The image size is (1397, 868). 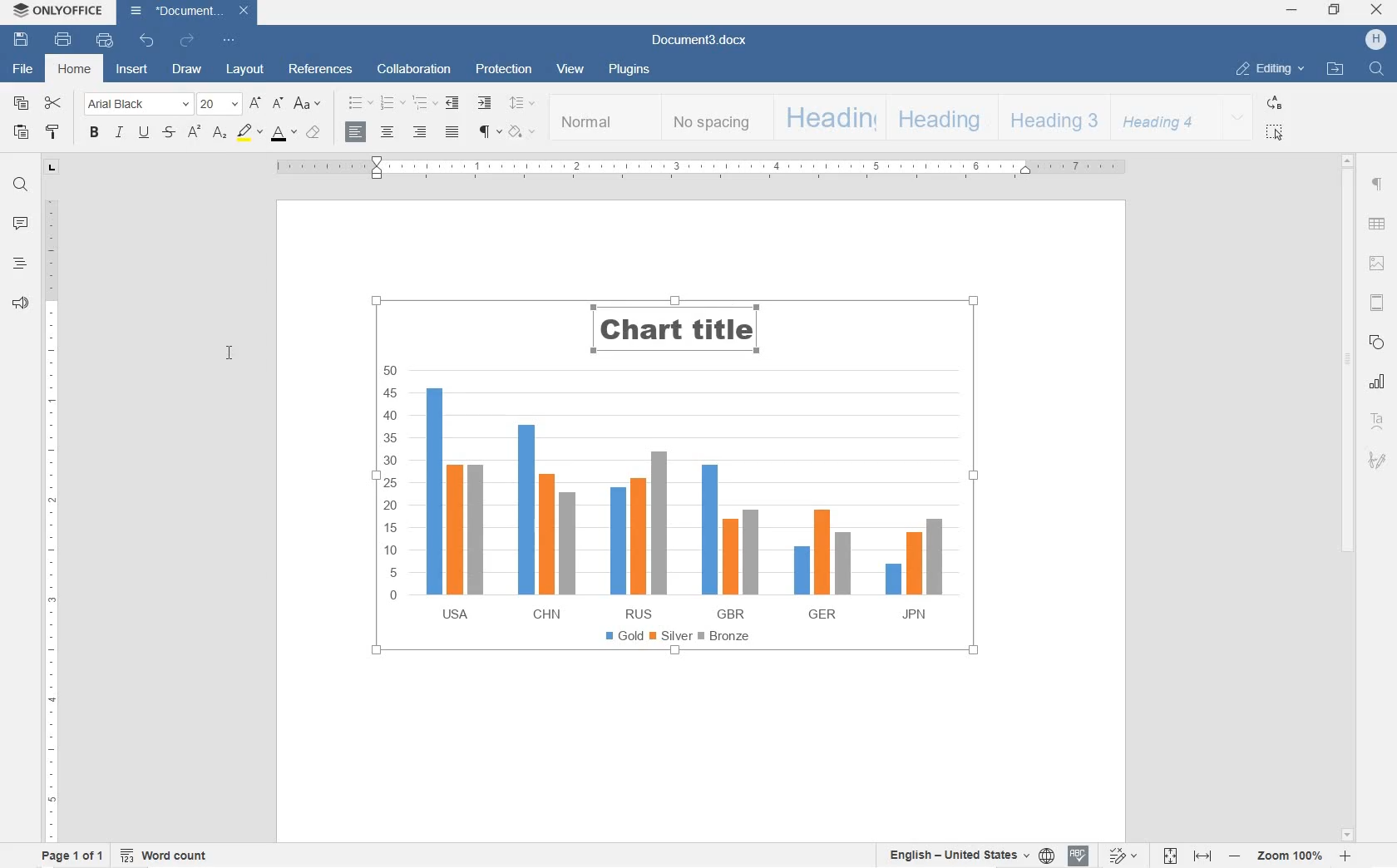 What do you see at coordinates (101, 41) in the screenshot?
I see `QUICK PRINT` at bounding box center [101, 41].